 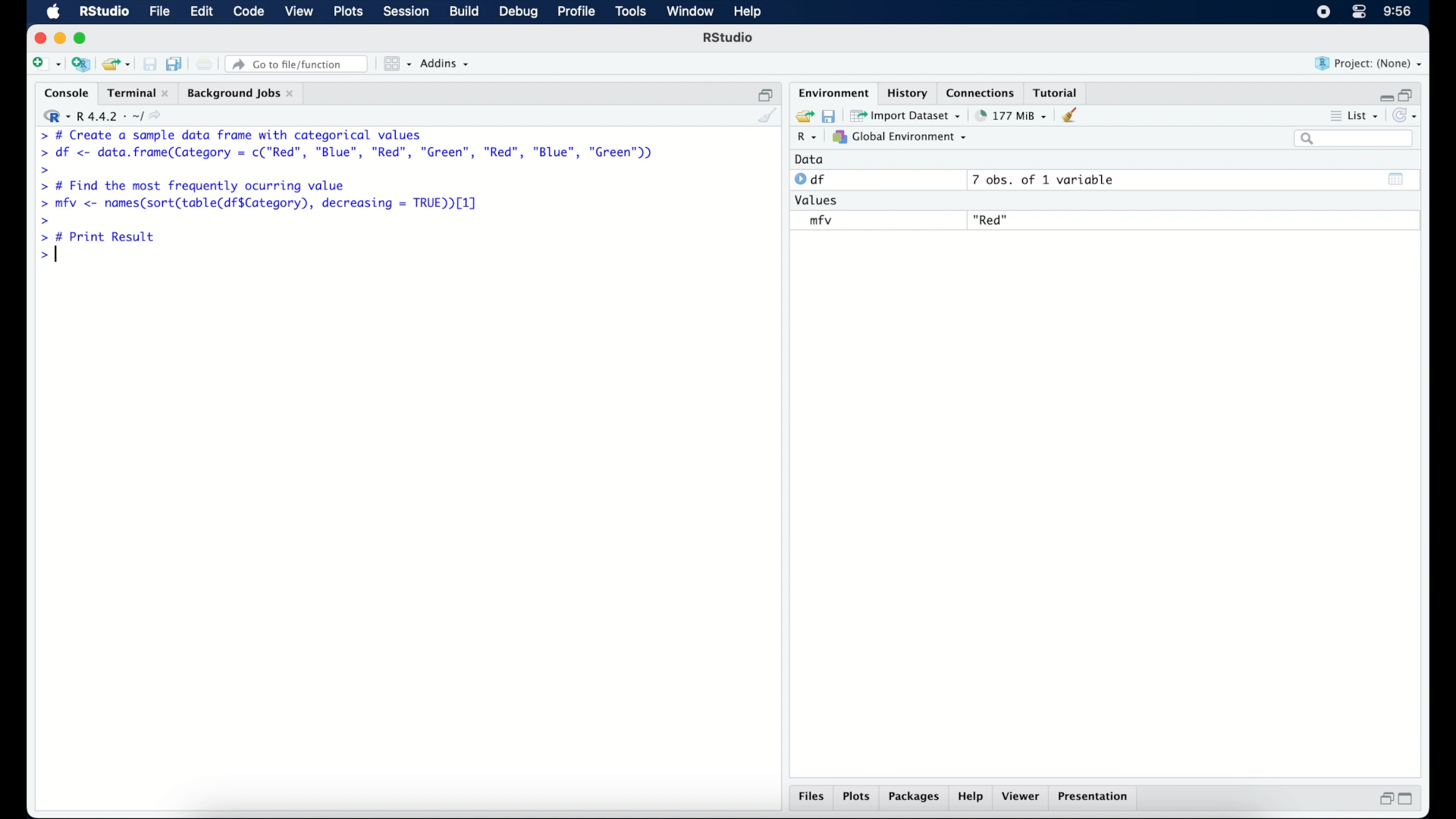 I want to click on viewer, so click(x=1022, y=798).